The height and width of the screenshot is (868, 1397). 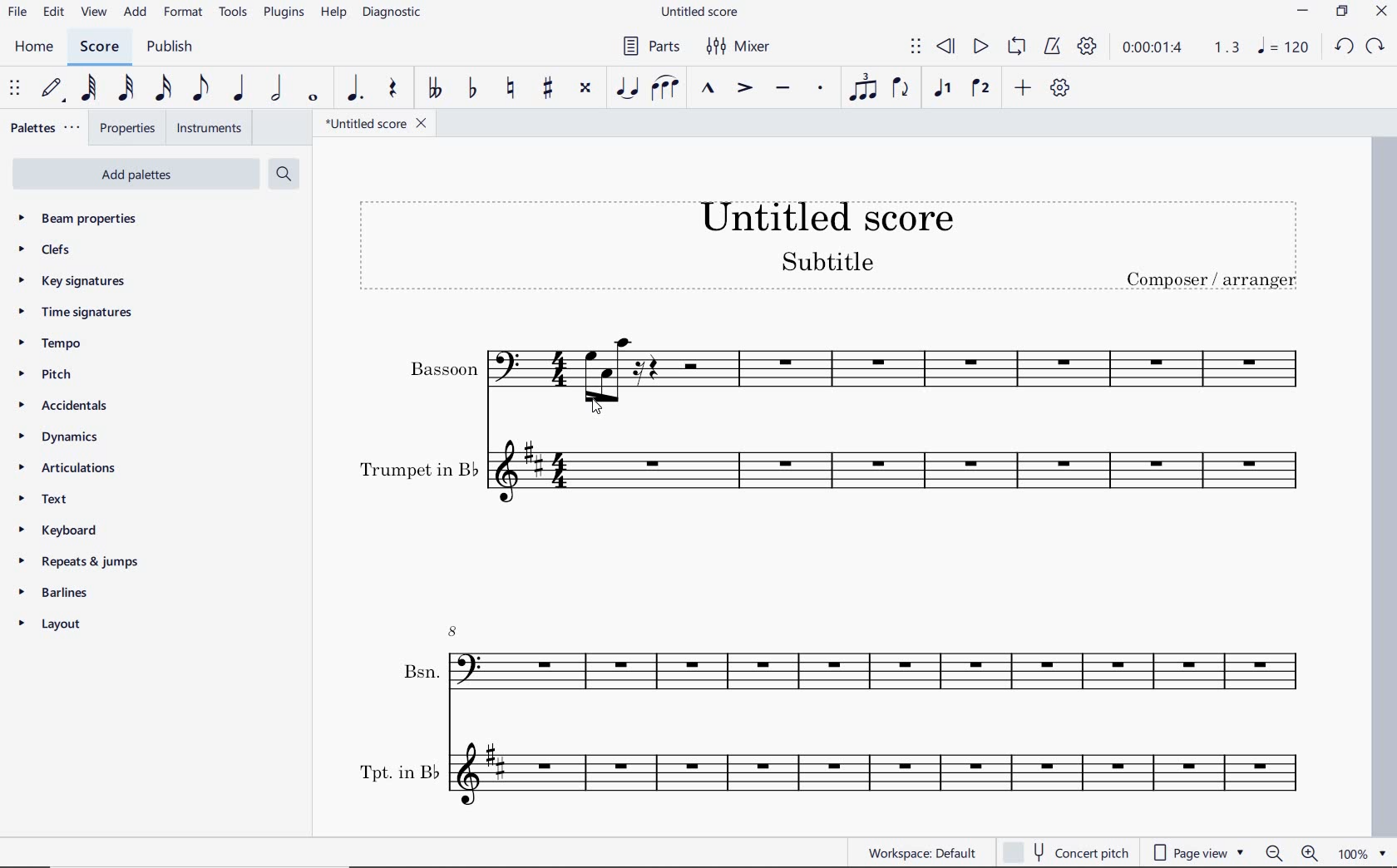 I want to click on barlines, so click(x=55, y=594).